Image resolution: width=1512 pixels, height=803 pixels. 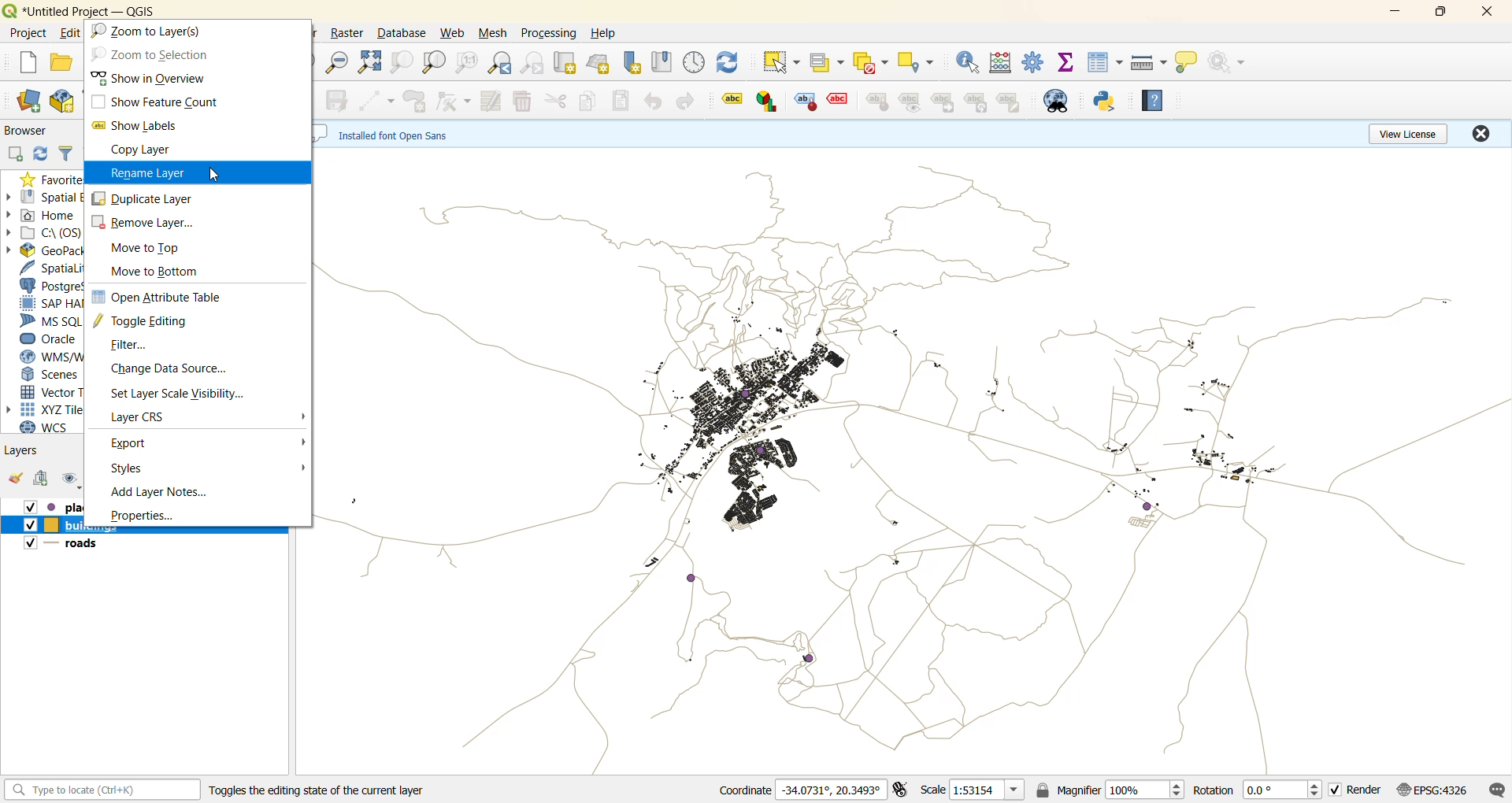 What do you see at coordinates (653, 102) in the screenshot?
I see `undo` at bounding box center [653, 102].